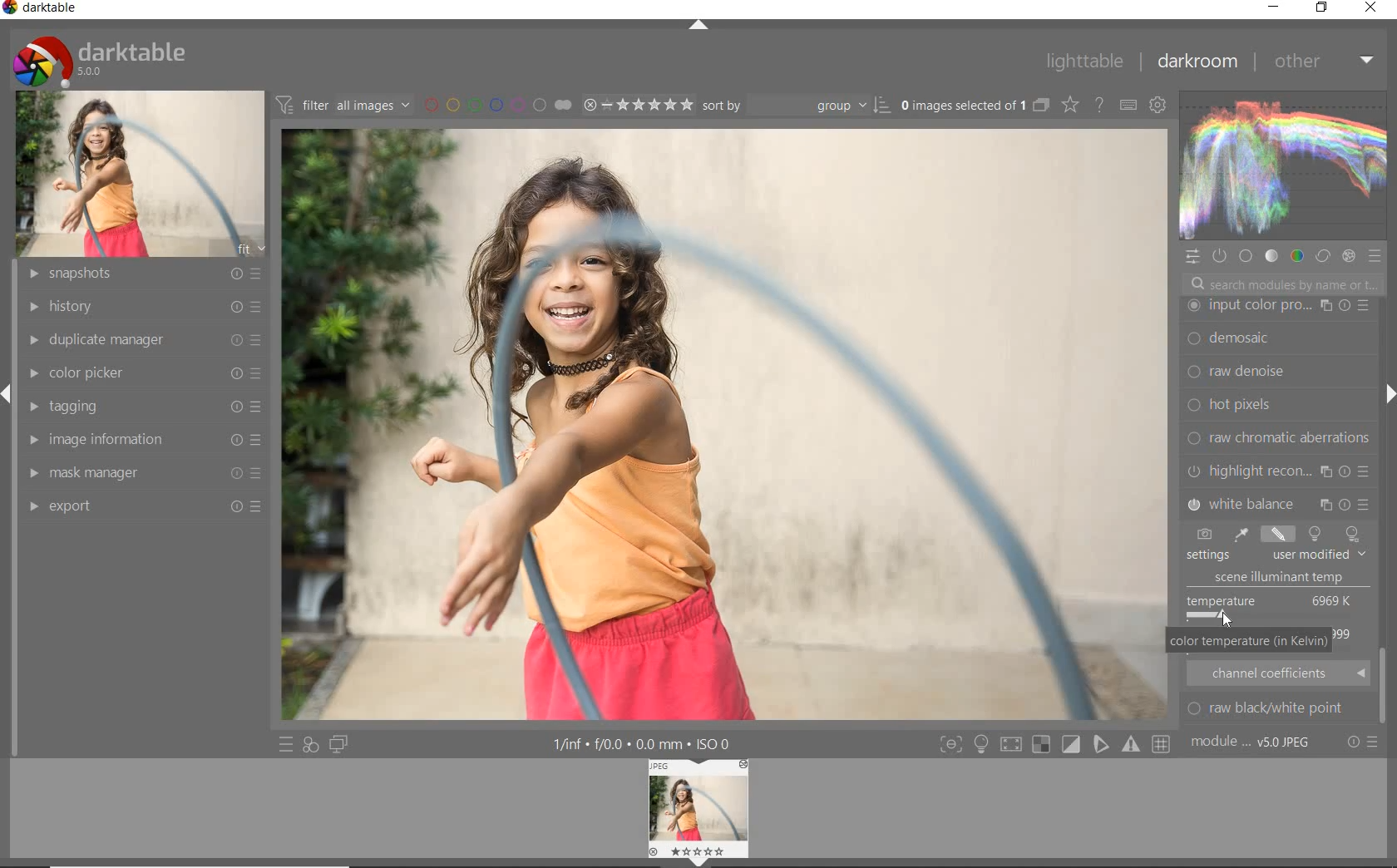  I want to click on quick access panel, so click(1193, 257).